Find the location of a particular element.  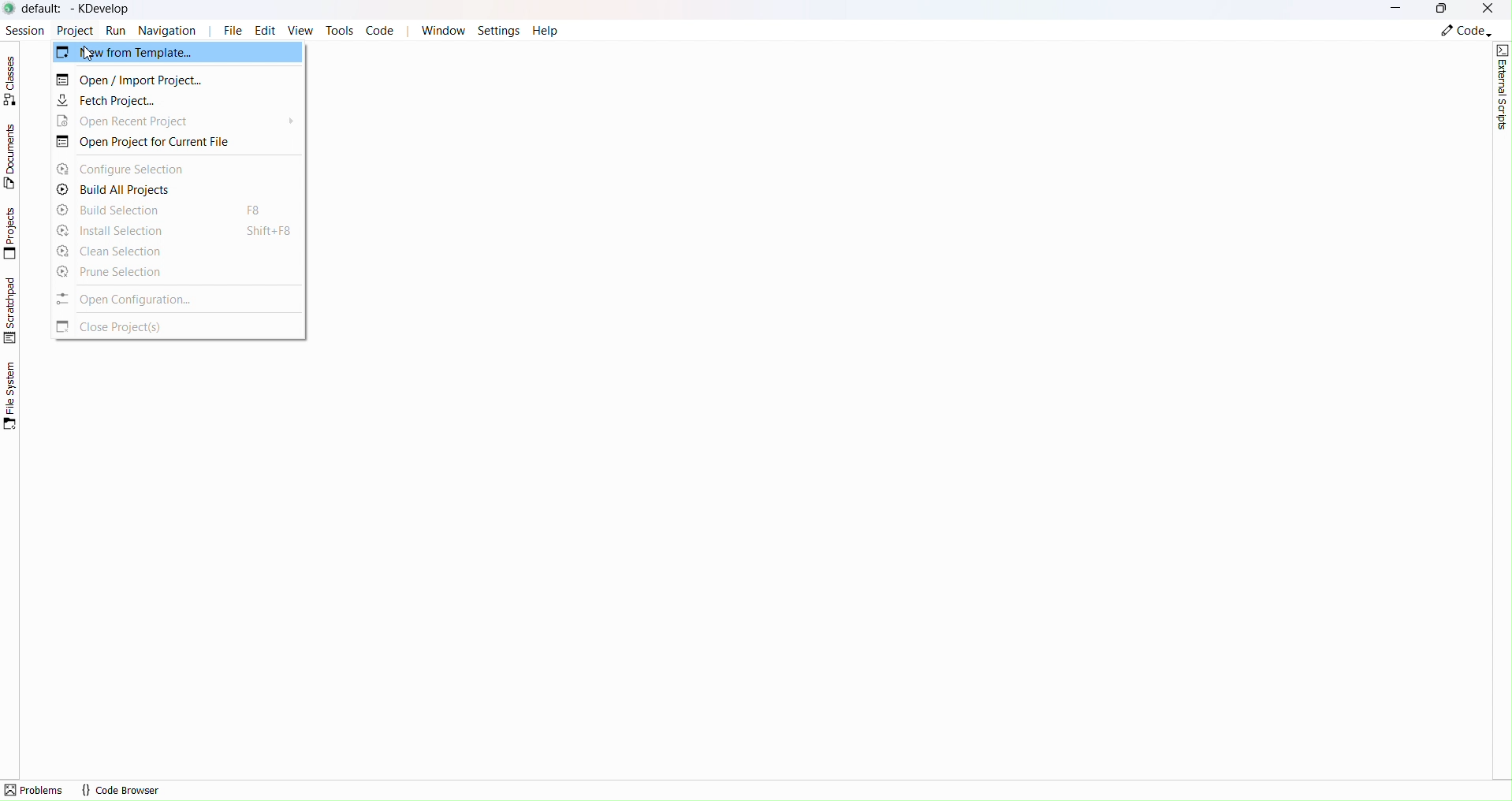

Configure selection is located at coordinates (136, 168).